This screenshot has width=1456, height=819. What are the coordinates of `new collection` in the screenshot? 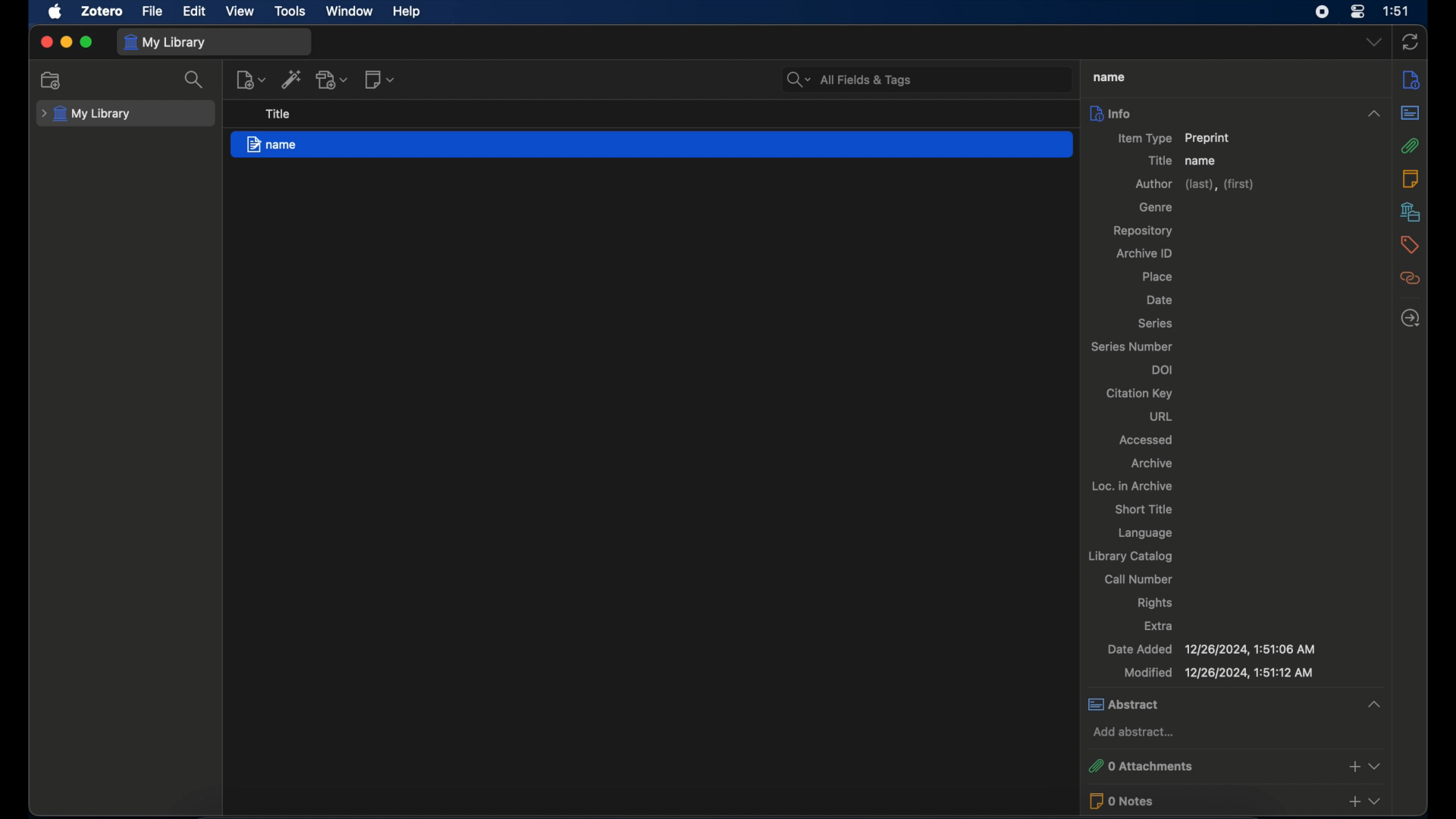 It's located at (51, 80).